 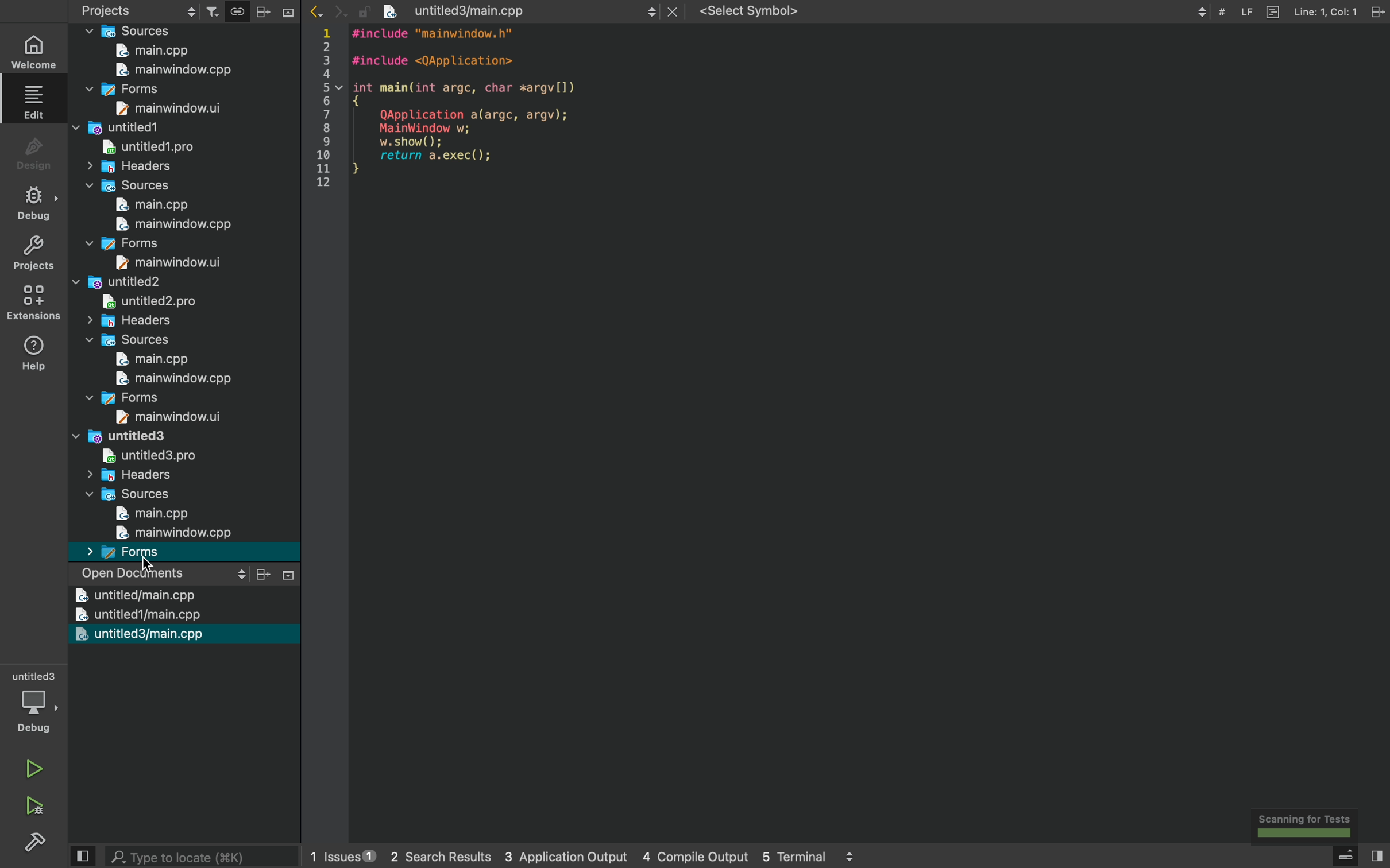 I want to click on mainwindow, so click(x=167, y=417).